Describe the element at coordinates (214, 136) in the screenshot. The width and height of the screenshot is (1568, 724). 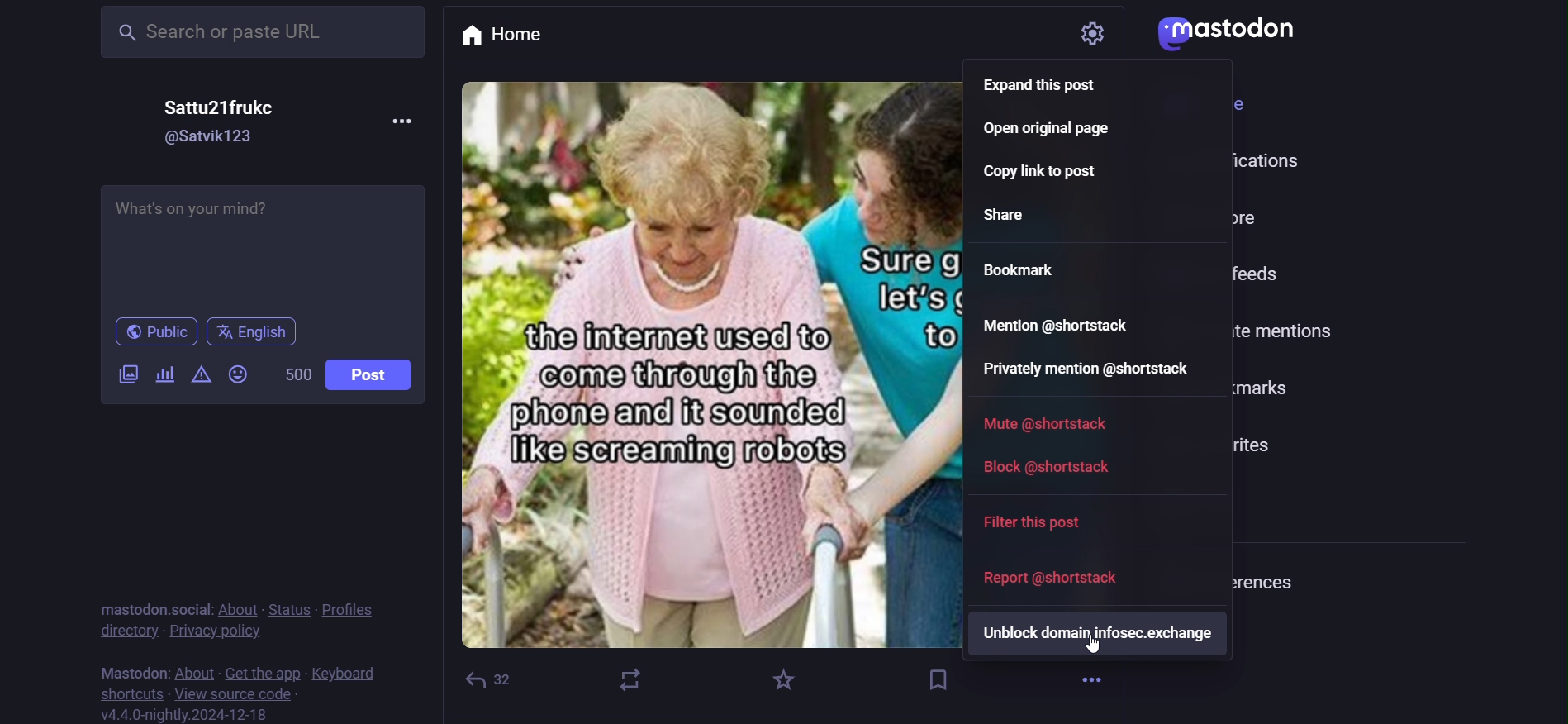
I see `@satvik123` at that location.